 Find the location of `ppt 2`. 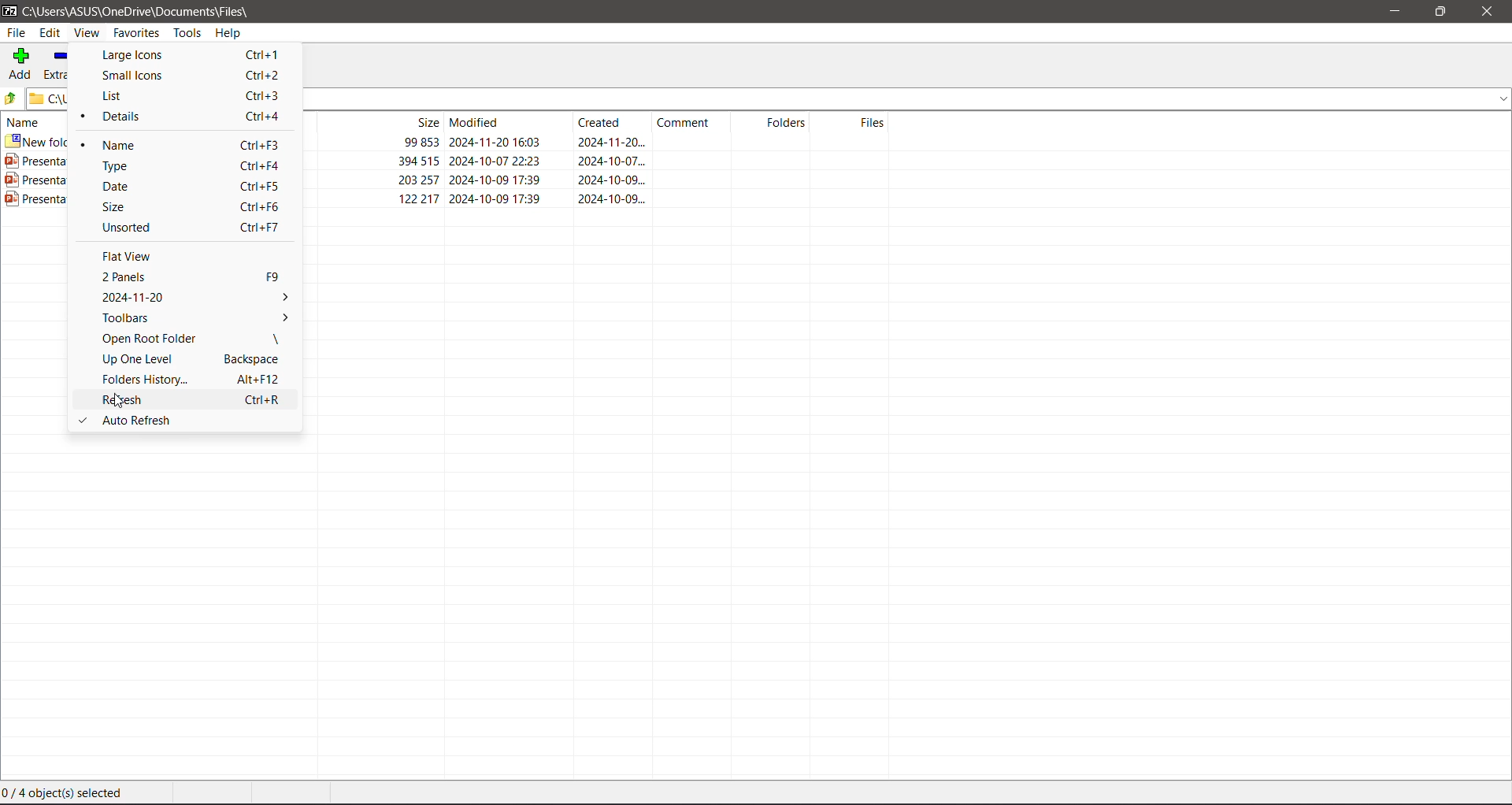

ppt 2 is located at coordinates (597, 178).